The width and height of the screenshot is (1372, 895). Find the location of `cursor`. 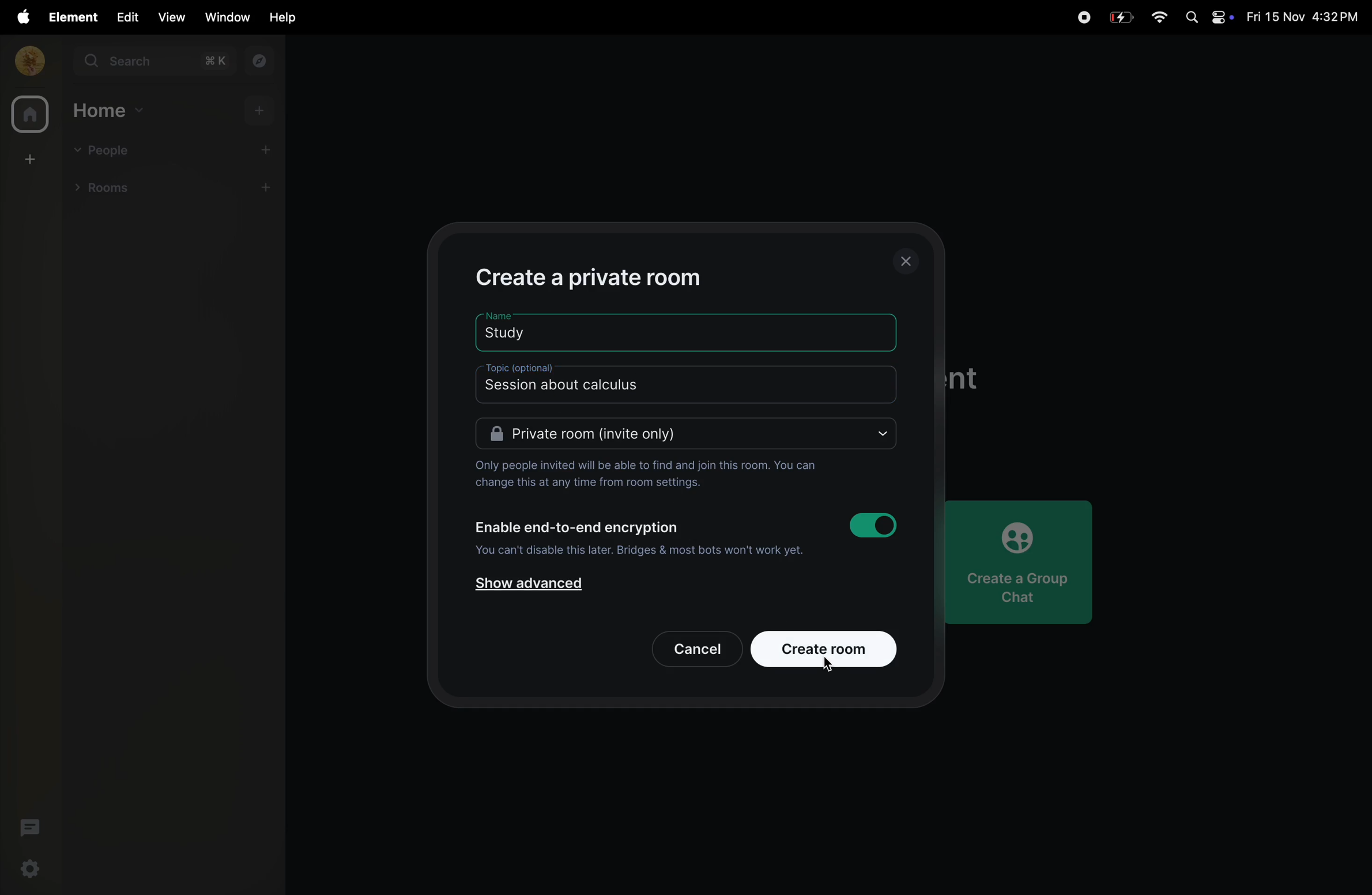

cursor is located at coordinates (831, 667).